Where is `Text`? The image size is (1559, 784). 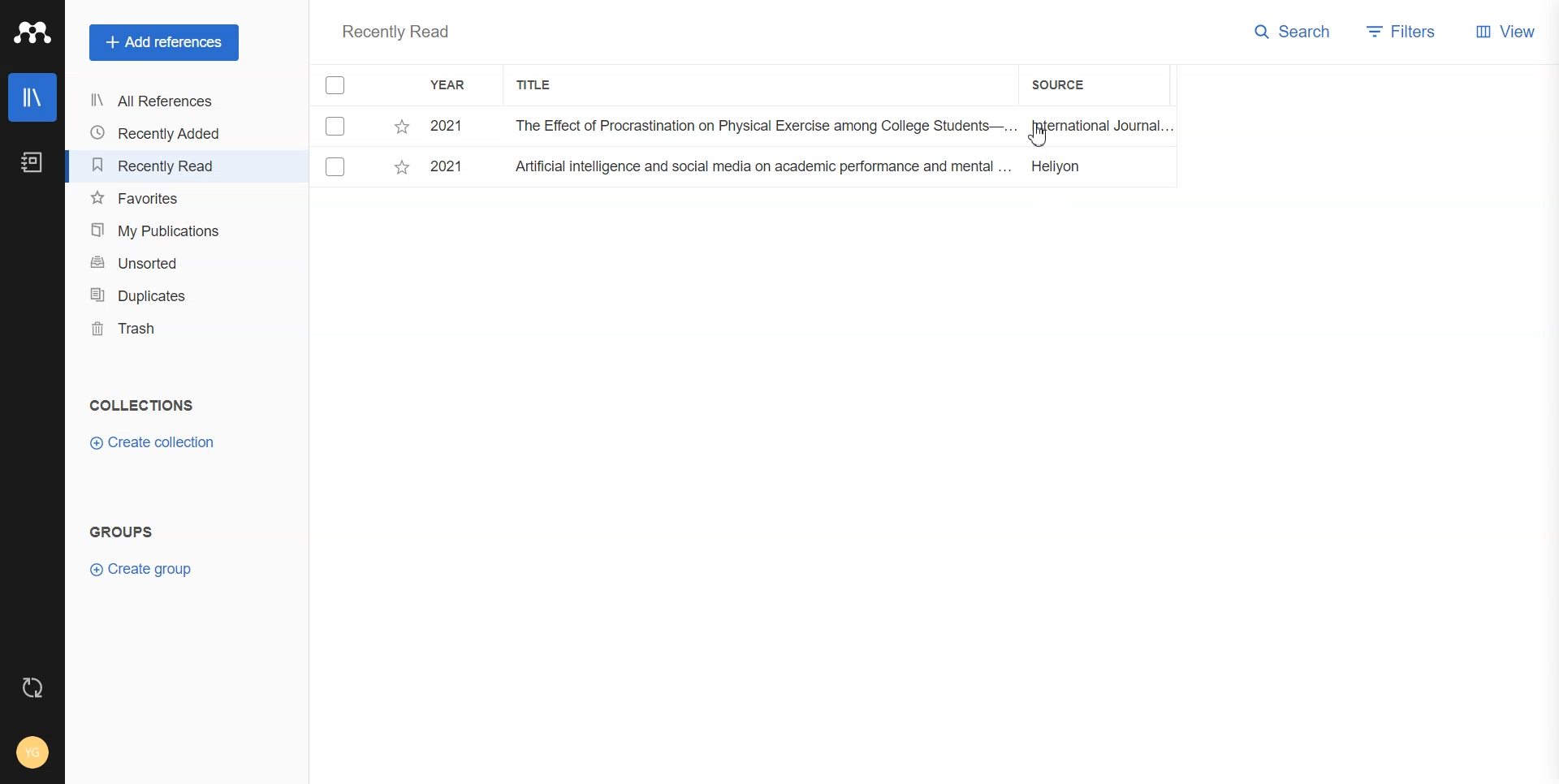 Text is located at coordinates (395, 33).